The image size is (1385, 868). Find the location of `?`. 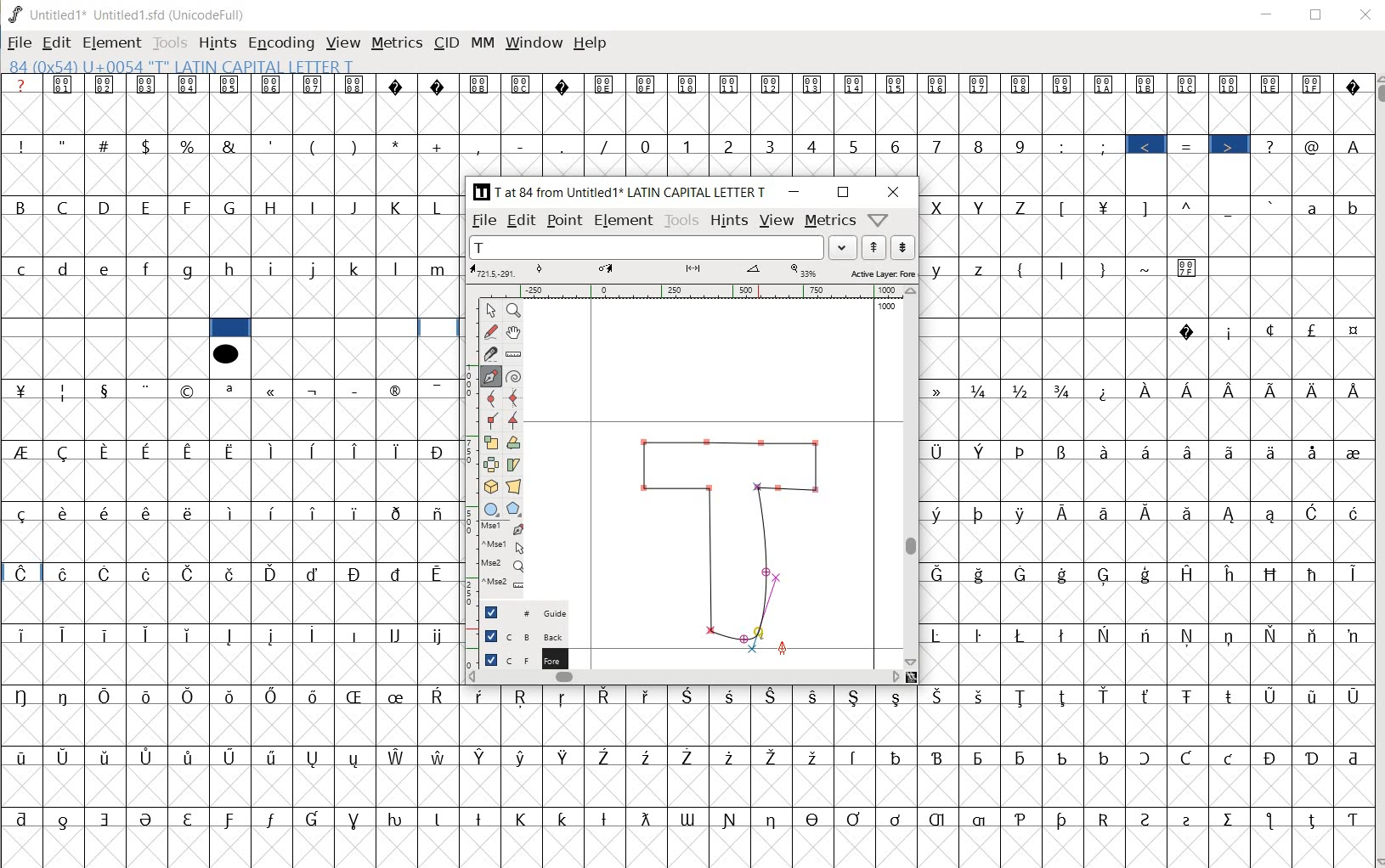

? is located at coordinates (24, 85).